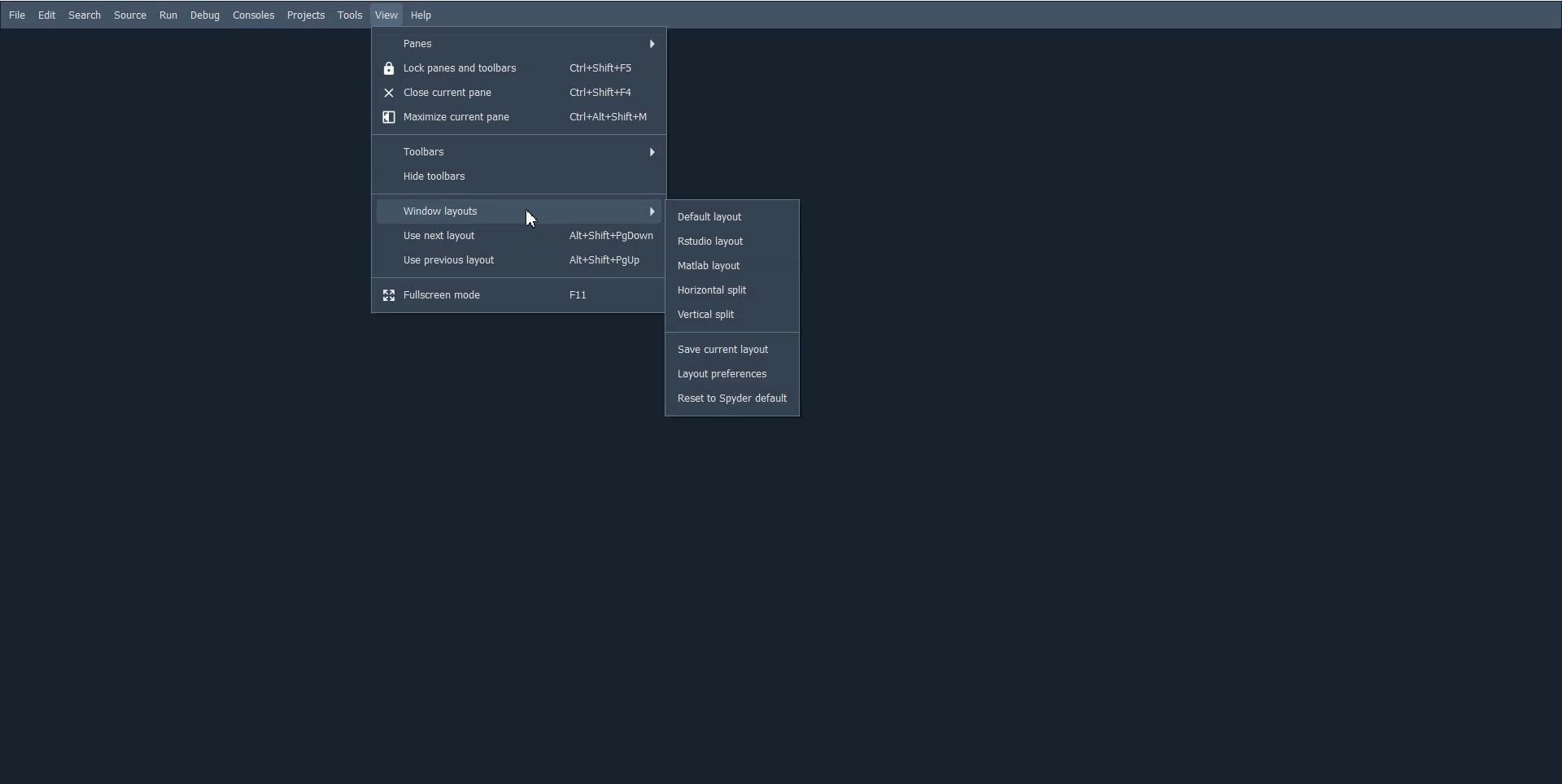  Describe the element at coordinates (731, 351) in the screenshot. I see `Save current layout` at that location.